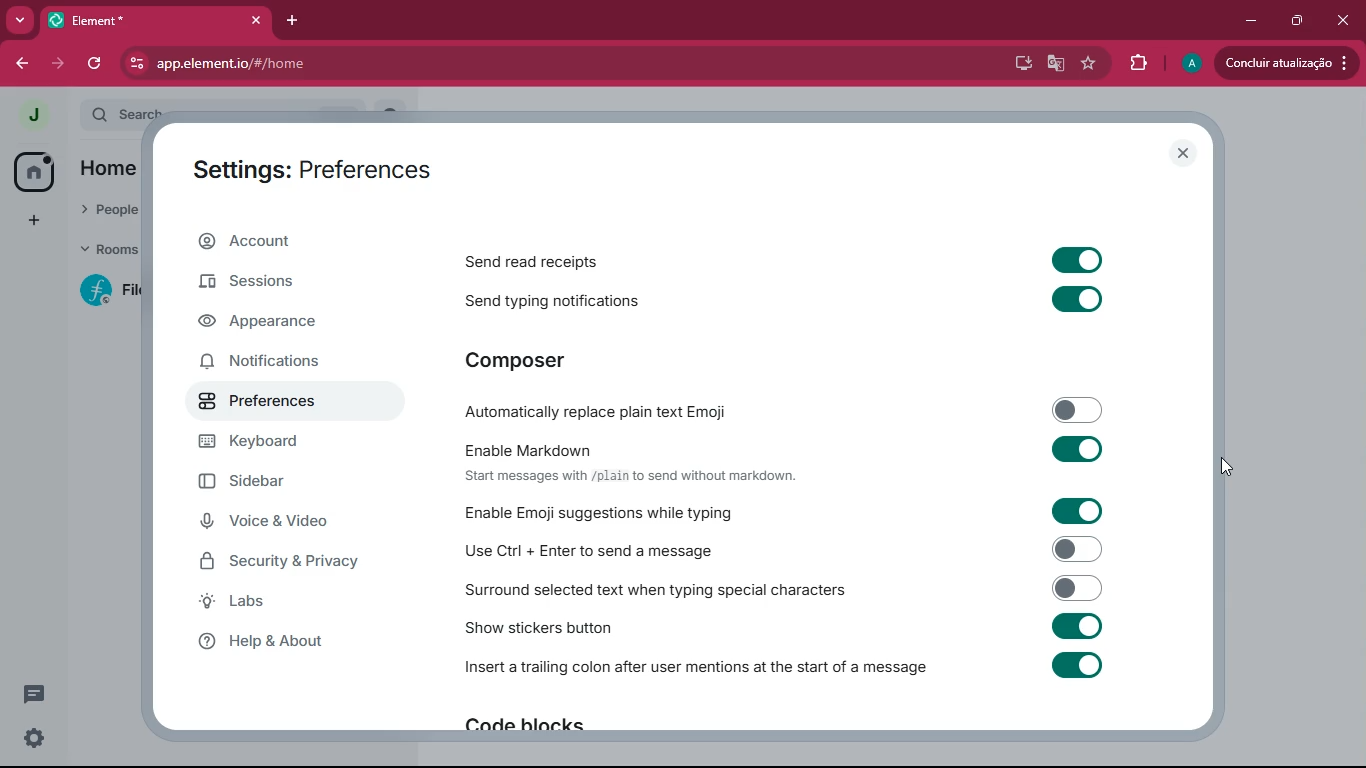 This screenshot has width=1366, height=768. What do you see at coordinates (109, 290) in the screenshot?
I see `filecoin lotus implementation` at bounding box center [109, 290].